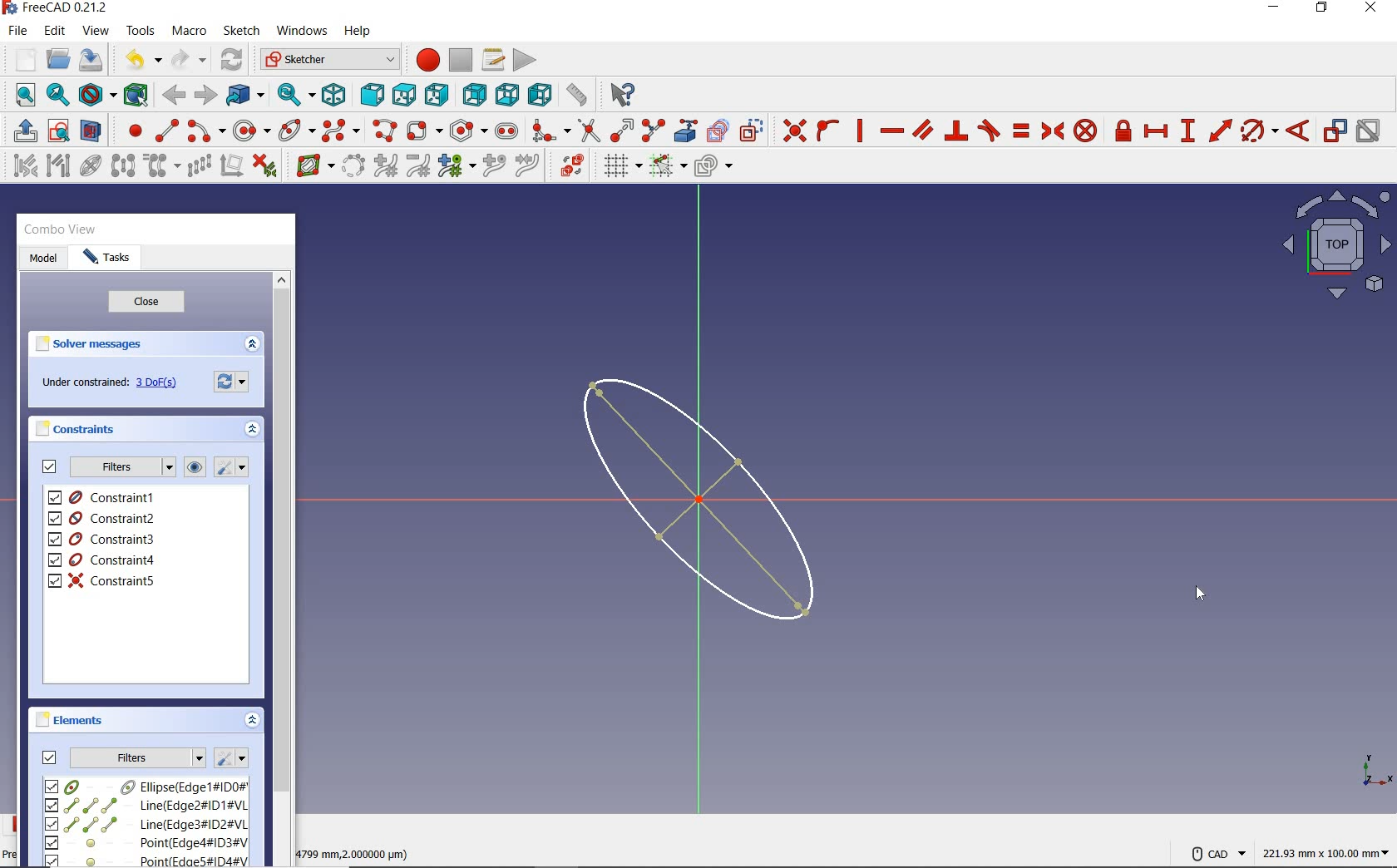 The image size is (1397, 868). Describe the element at coordinates (1214, 851) in the screenshot. I see `CAD Navigation Style` at that location.